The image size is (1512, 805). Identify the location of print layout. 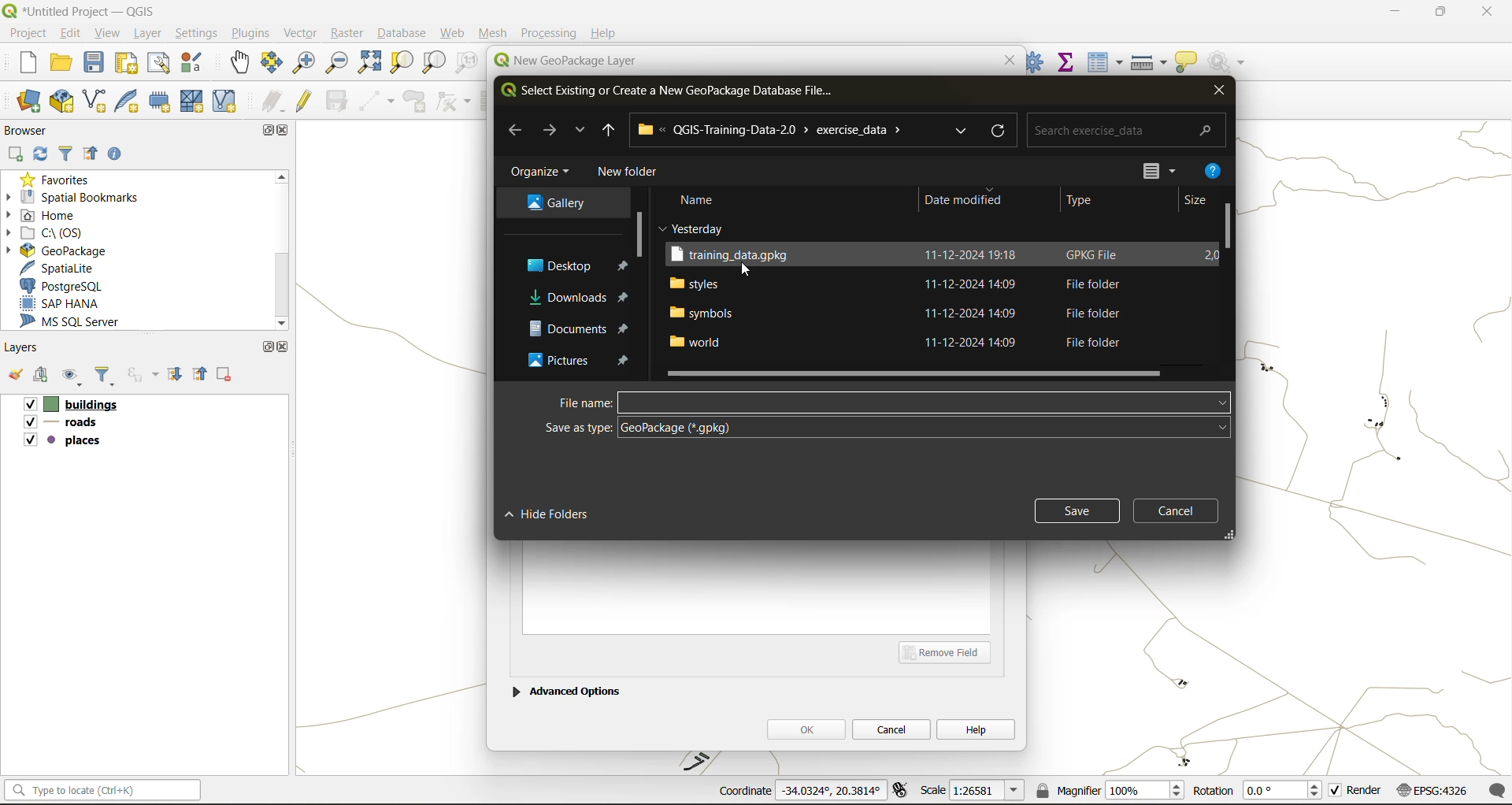
(128, 65).